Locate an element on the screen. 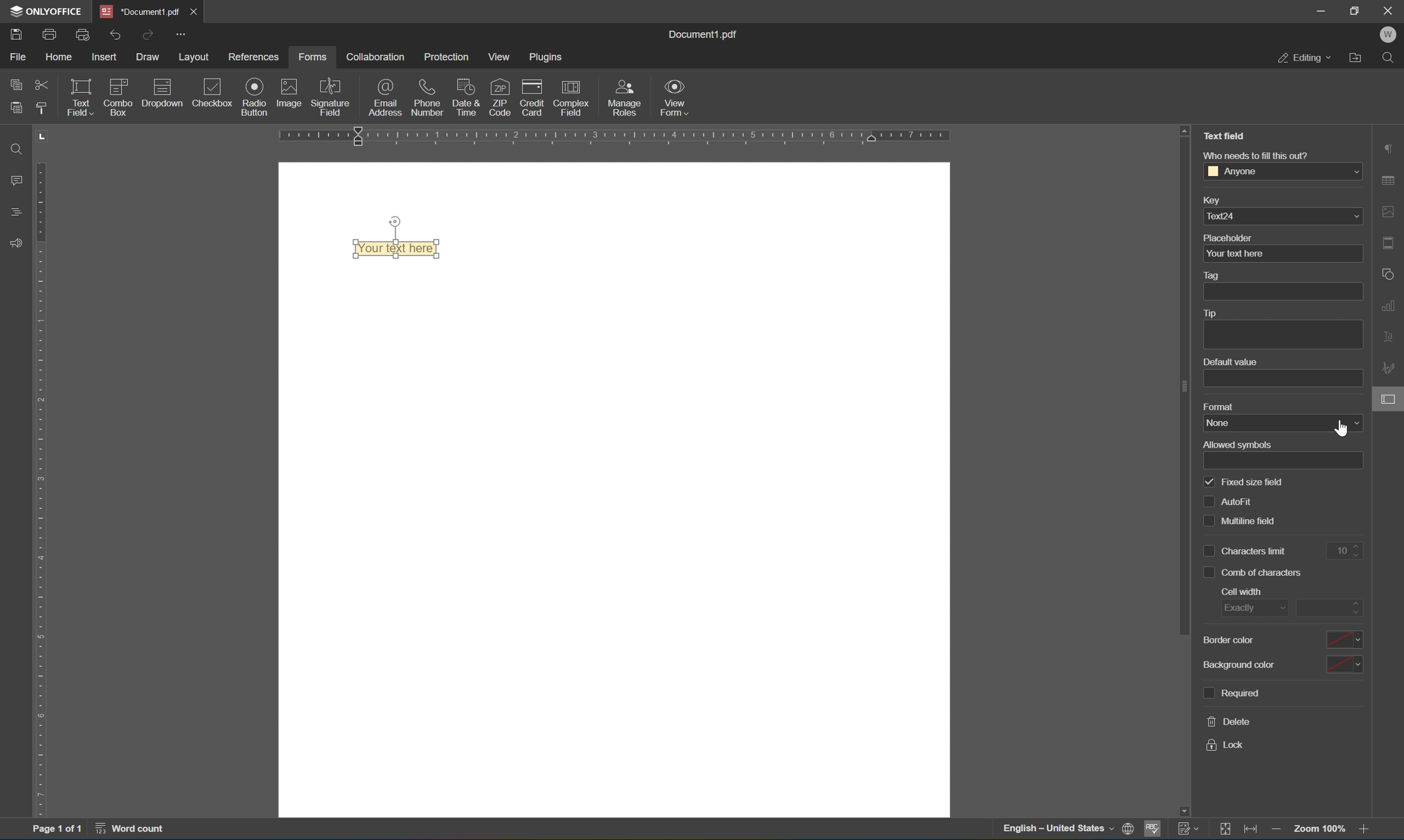 The image size is (1404, 840). add allowed symbols is located at coordinates (1285, 461).